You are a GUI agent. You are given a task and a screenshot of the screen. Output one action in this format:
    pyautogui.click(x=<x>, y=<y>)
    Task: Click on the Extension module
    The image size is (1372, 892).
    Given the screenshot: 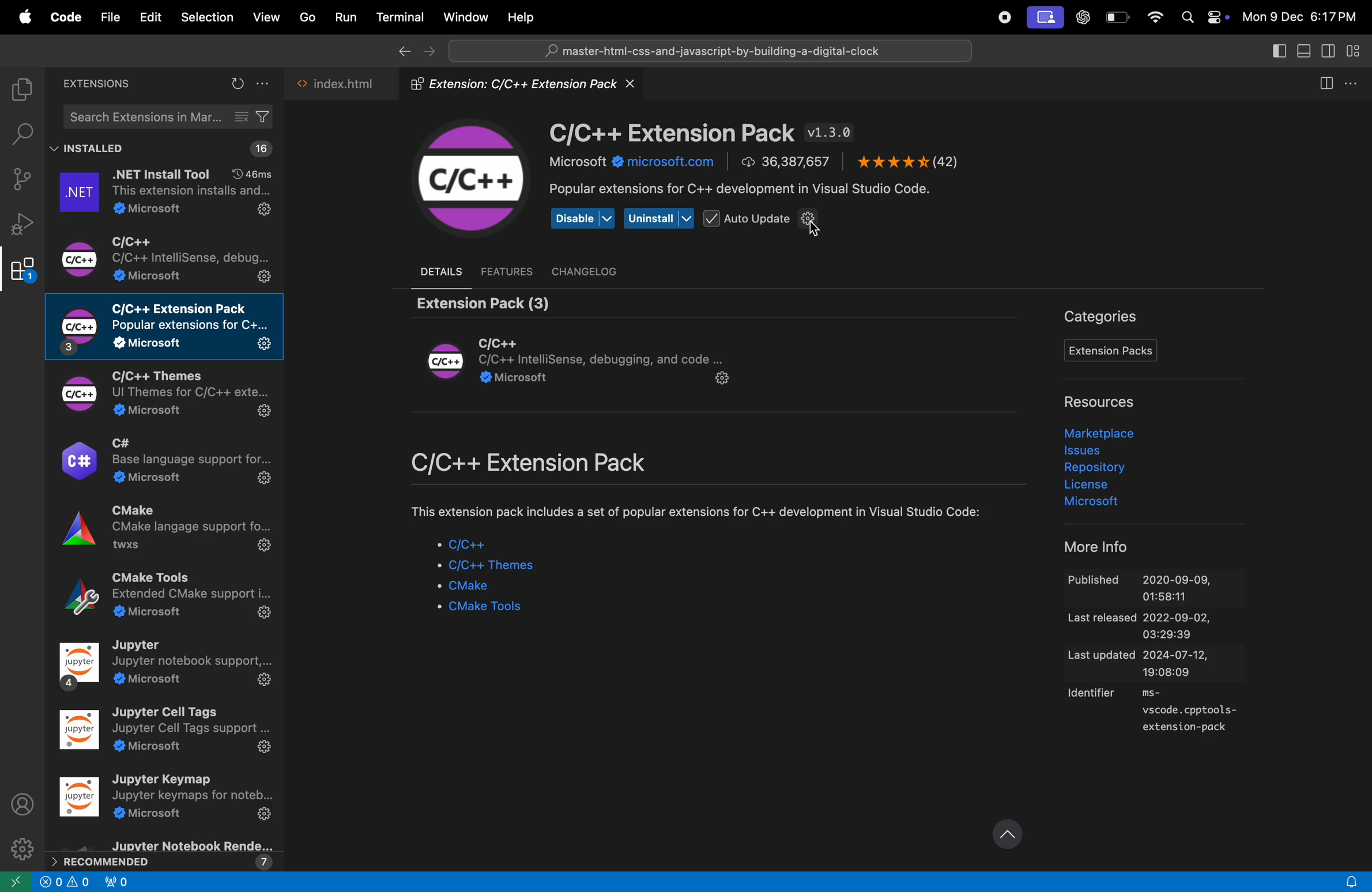 What is the action you would take?
    pyautogui.click(x=582, y=363)
    